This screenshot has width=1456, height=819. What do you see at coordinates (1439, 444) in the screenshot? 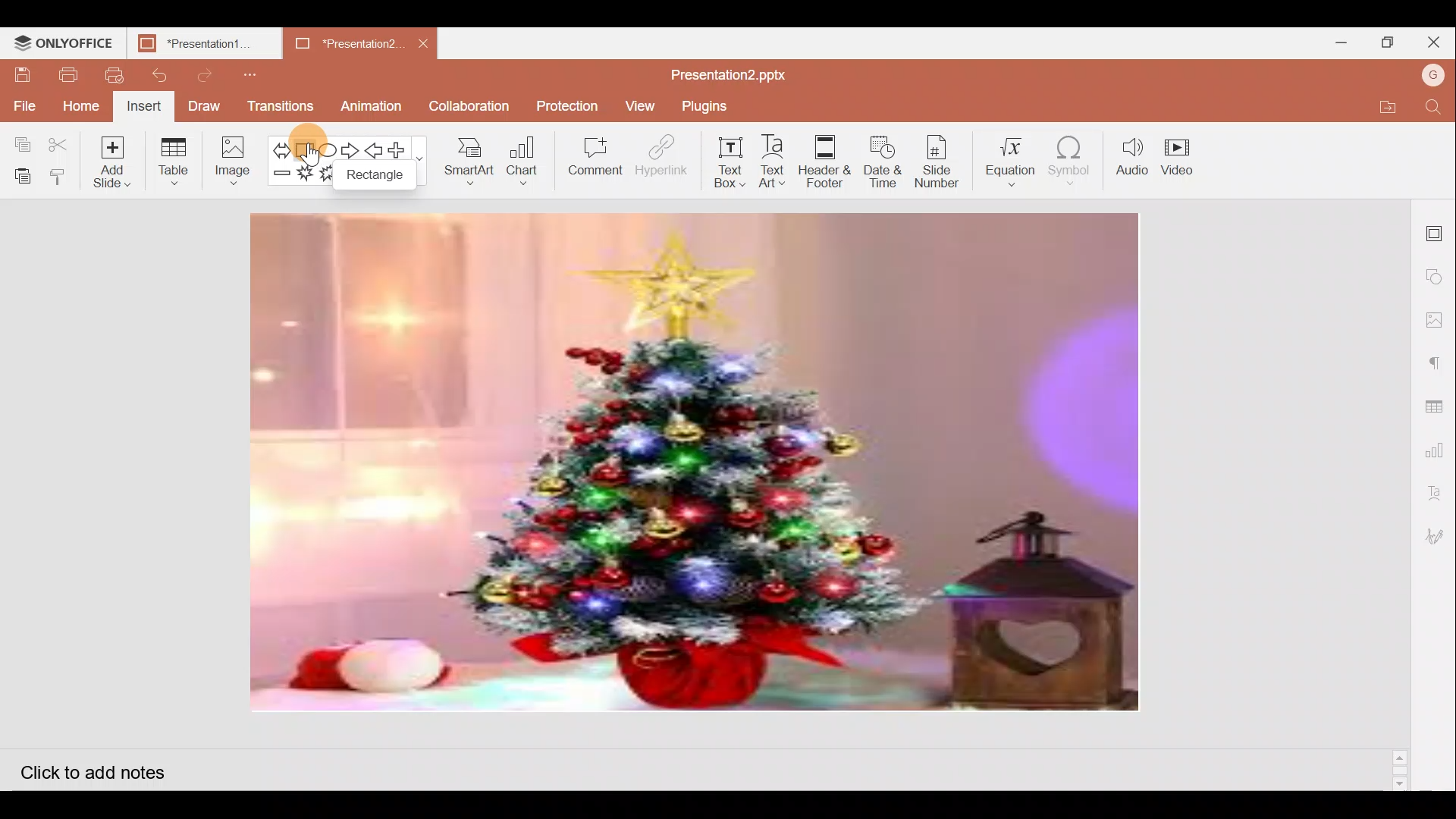
I see `Chart settings` at bounding box center [1439, 444].